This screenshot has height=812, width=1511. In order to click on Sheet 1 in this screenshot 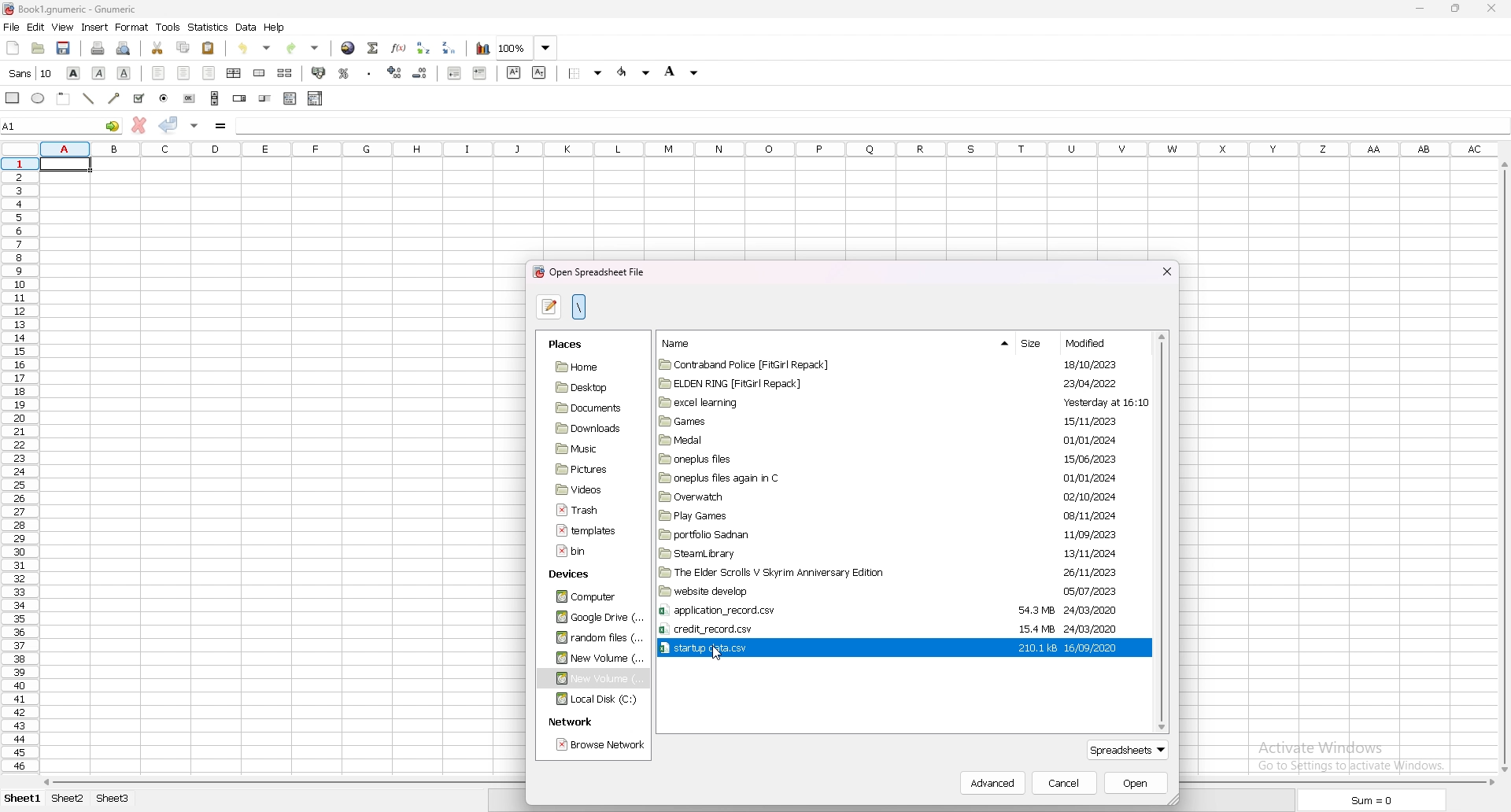, I will do `click(20, 799)`.